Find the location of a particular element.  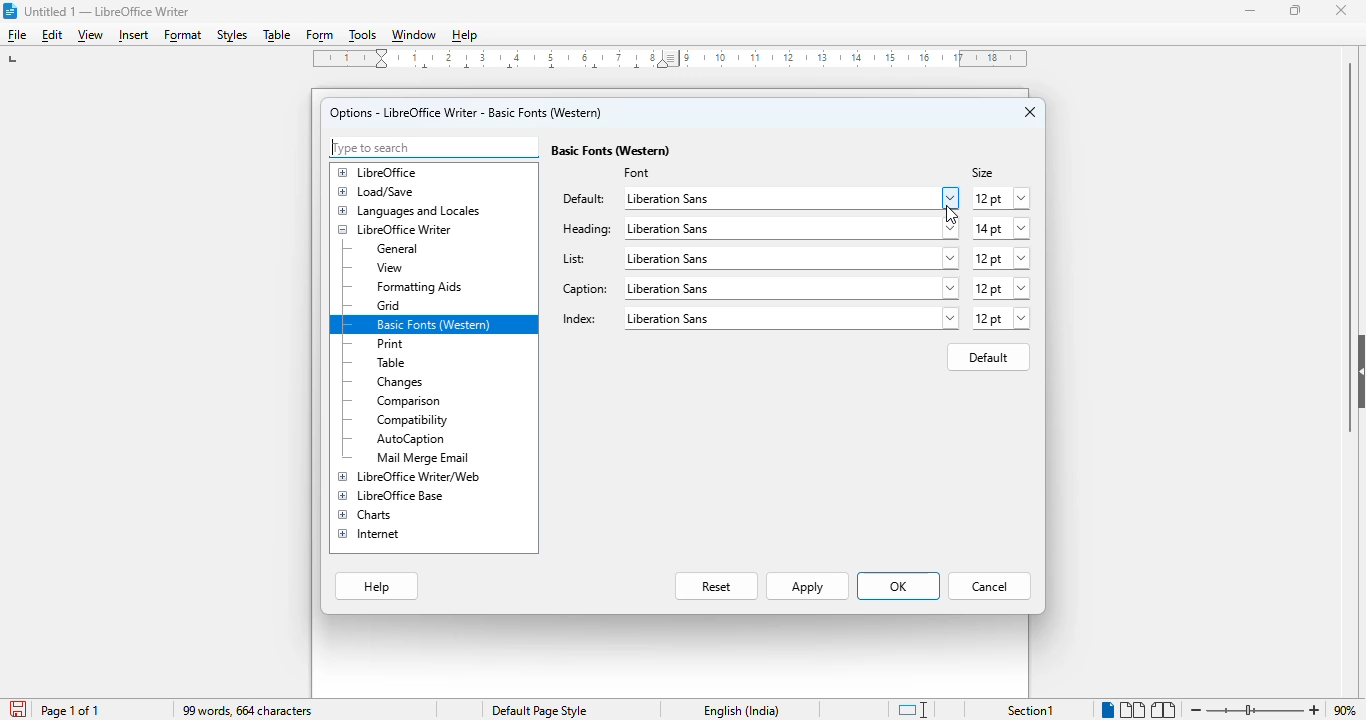

default is located at coordinates (989, 357).